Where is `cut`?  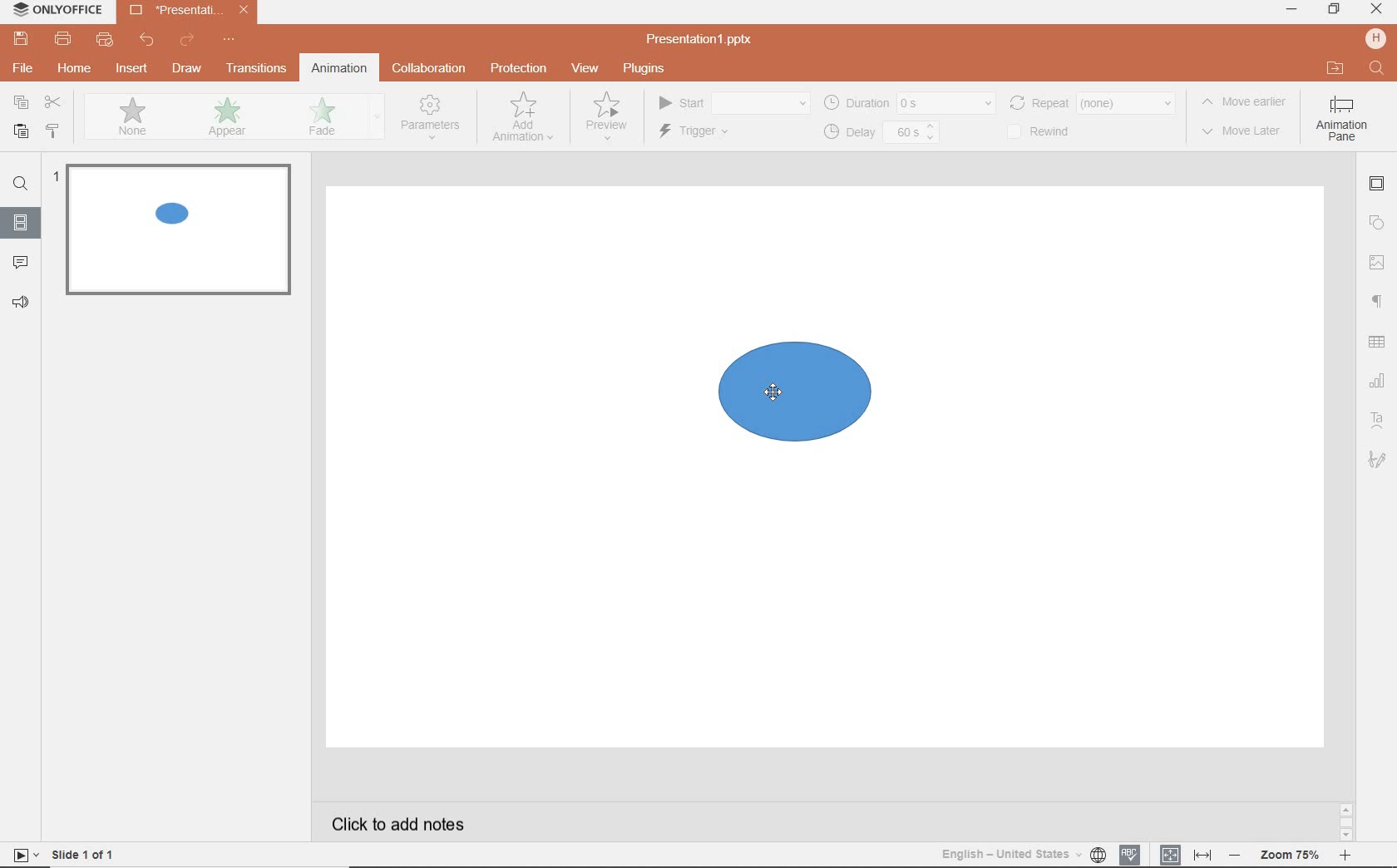 cut is located at coordinates (57, 103).